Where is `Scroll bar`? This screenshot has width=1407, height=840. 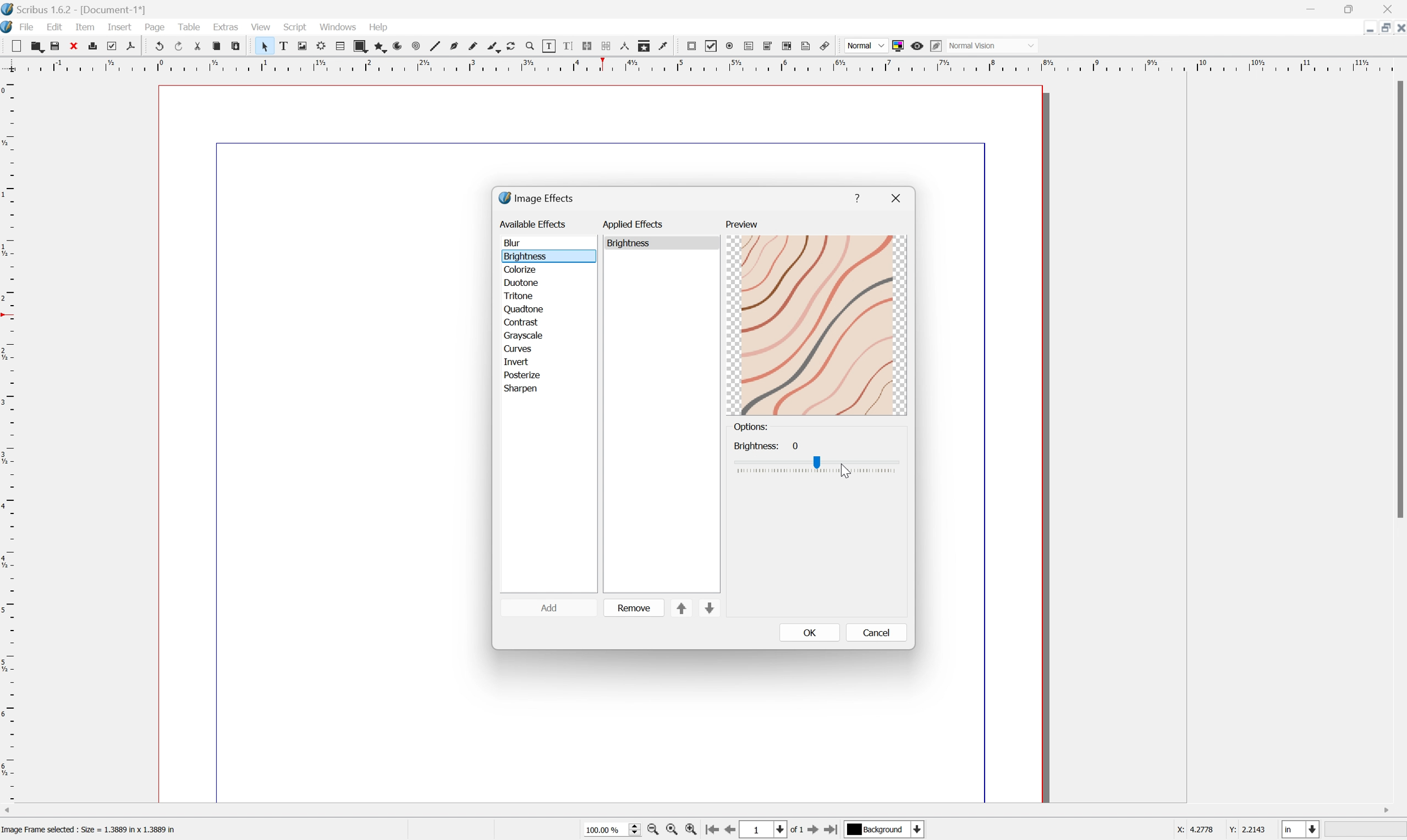 Scroll bar is located at coordinates (703, 808).